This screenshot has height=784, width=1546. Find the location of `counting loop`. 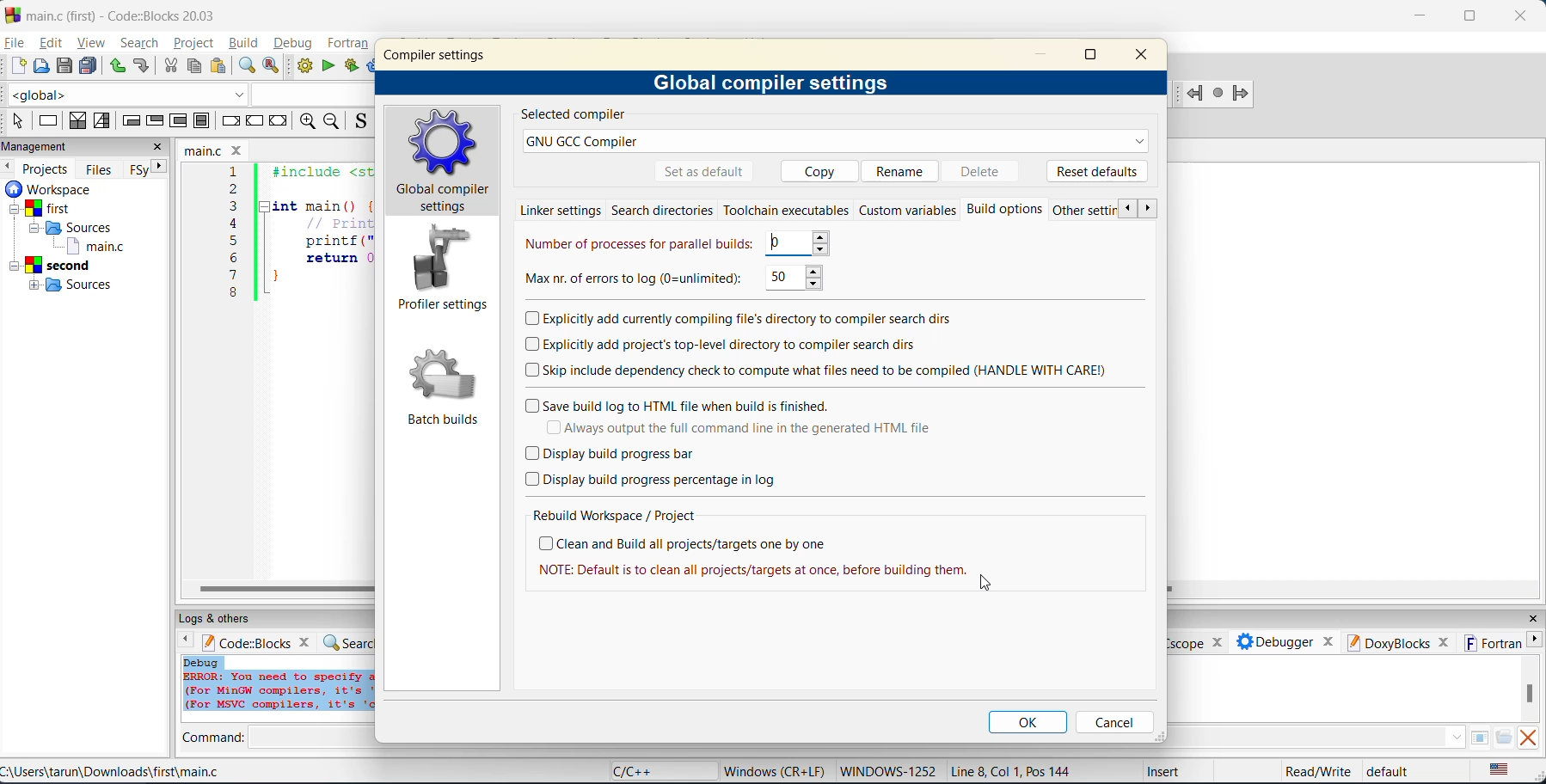

counting loop is located at coordinates (180, 123).